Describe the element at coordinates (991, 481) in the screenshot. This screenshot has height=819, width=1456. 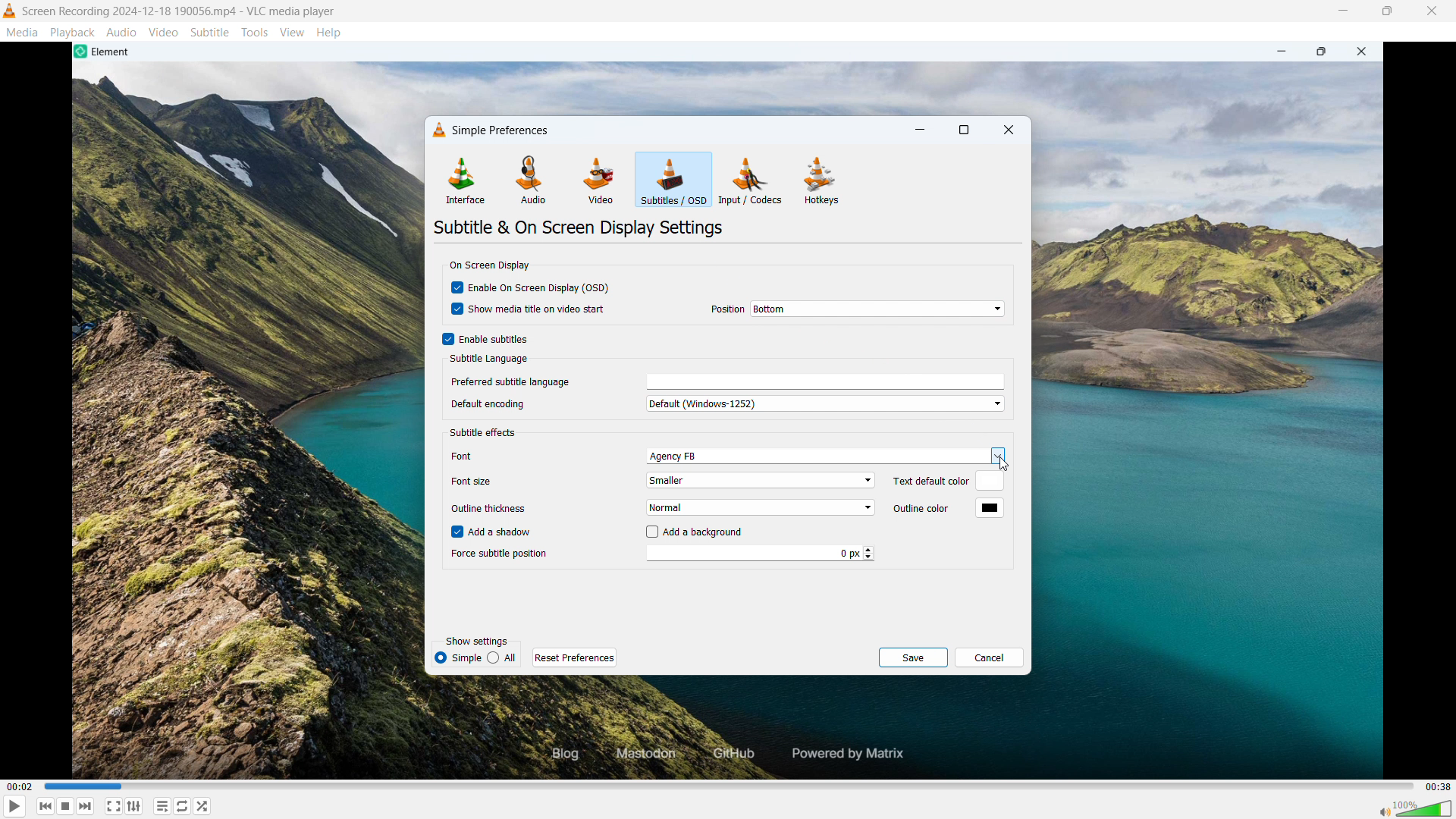
I see `text default color` at that location.